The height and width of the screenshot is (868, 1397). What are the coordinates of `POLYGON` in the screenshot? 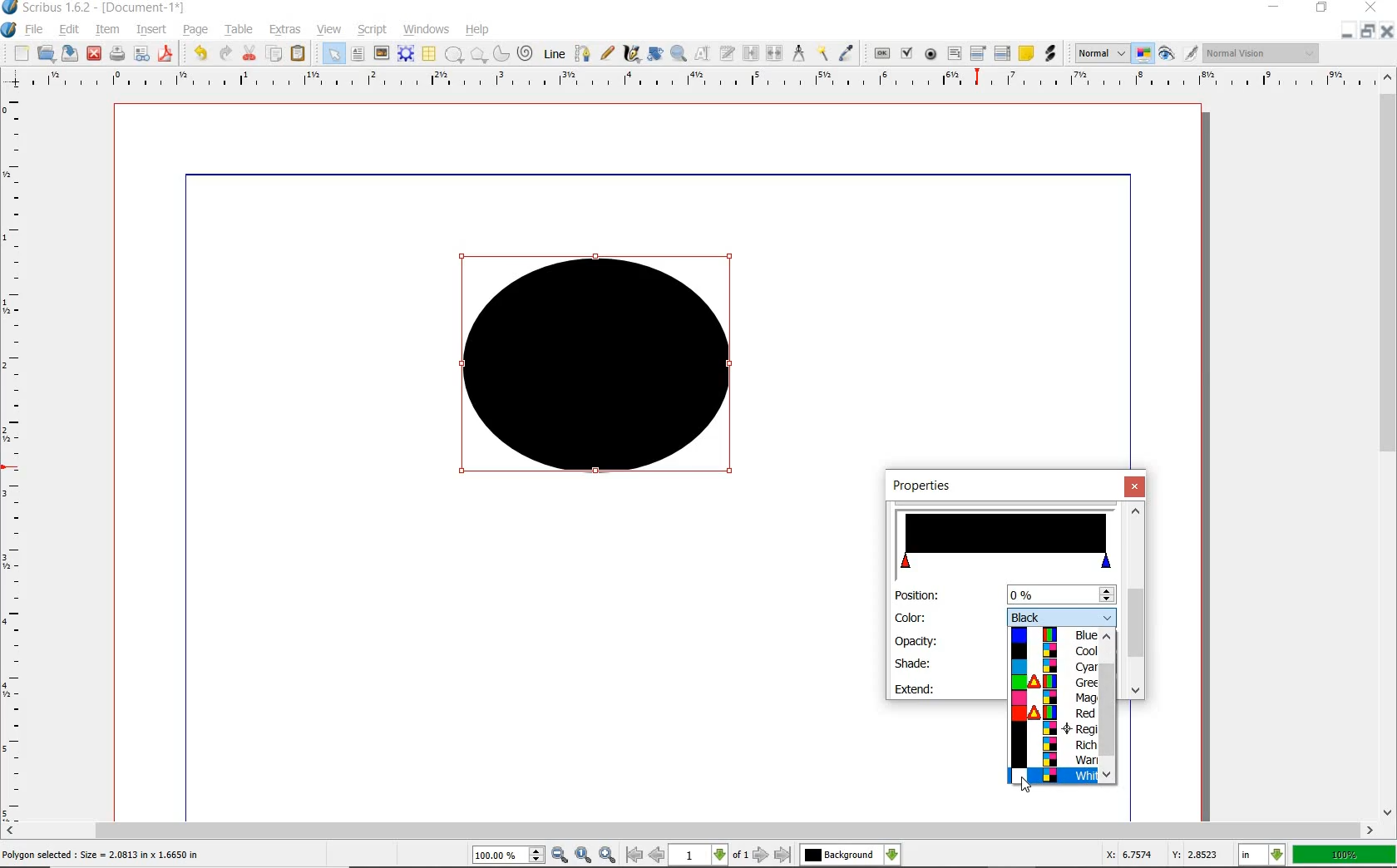 It's located at (478, 55).